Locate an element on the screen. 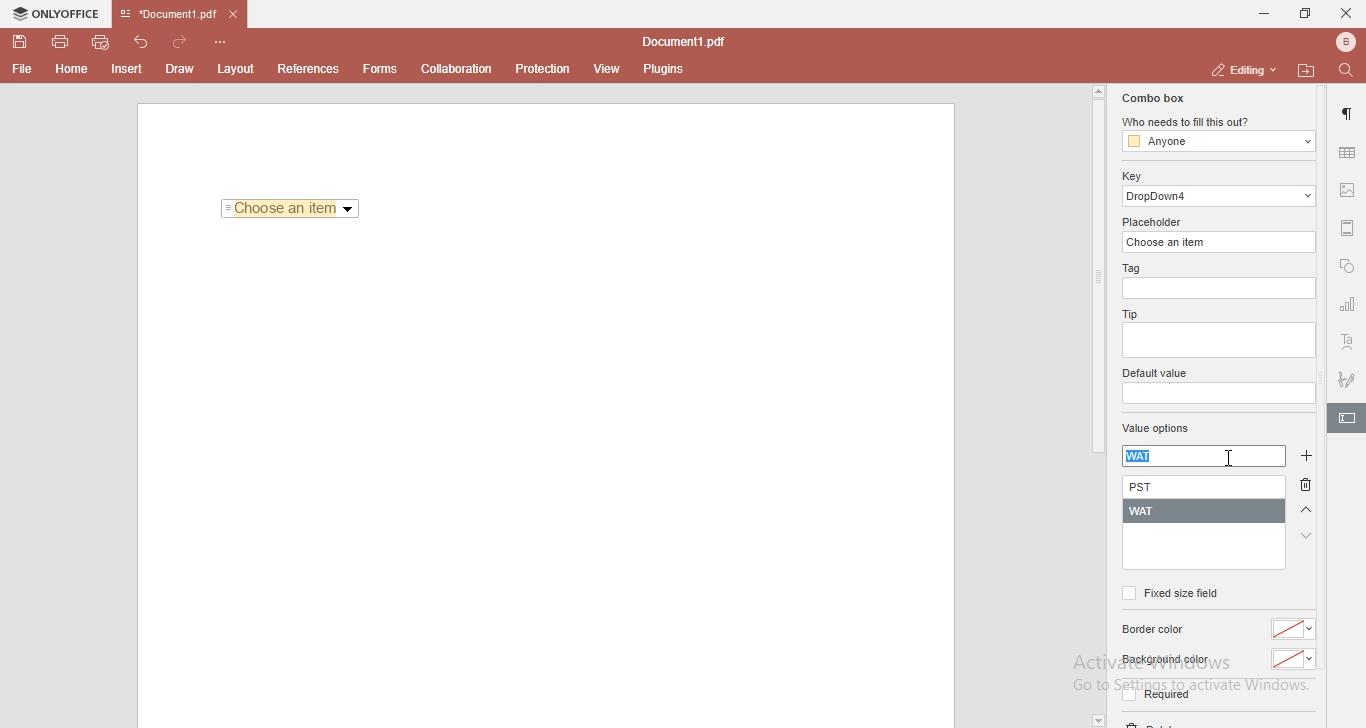 The width and height of the screenshot is (1366, 728). cursor is located at coordinates (1235, 459).